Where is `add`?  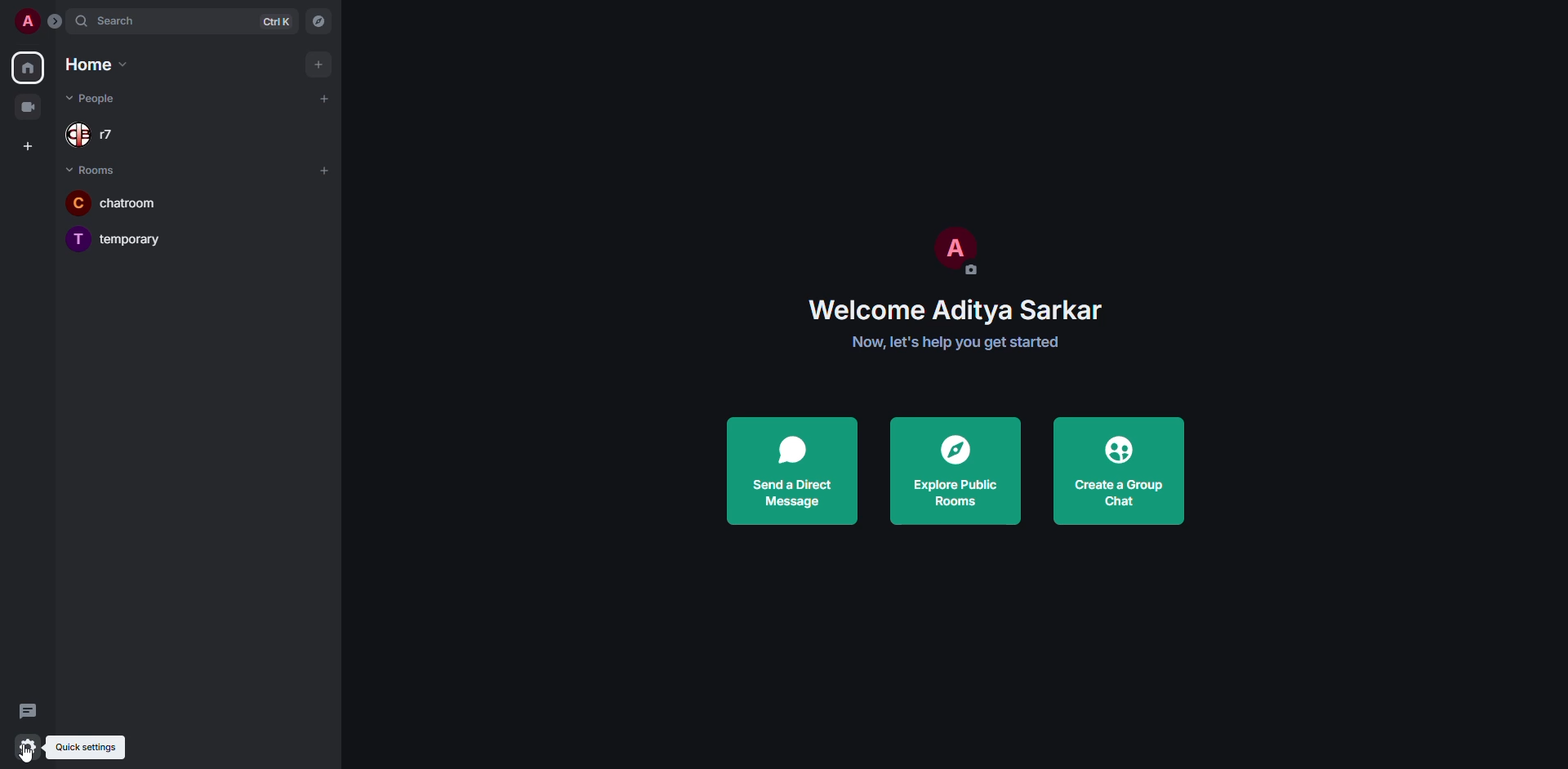 add is located at coordinates (314, 63).